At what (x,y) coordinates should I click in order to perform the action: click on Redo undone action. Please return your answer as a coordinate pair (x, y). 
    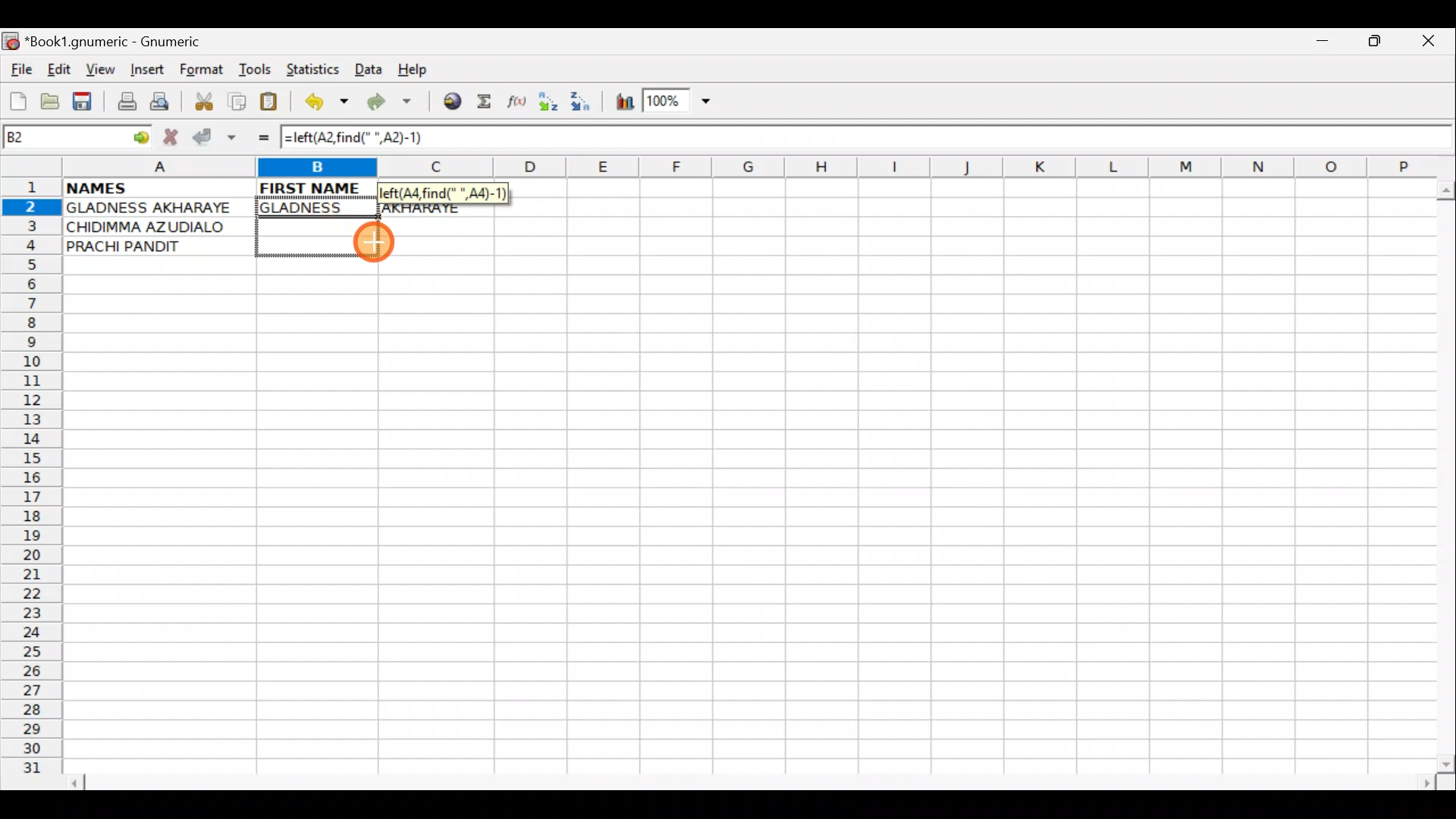
    Looking at the image, I should click on (393, 104).